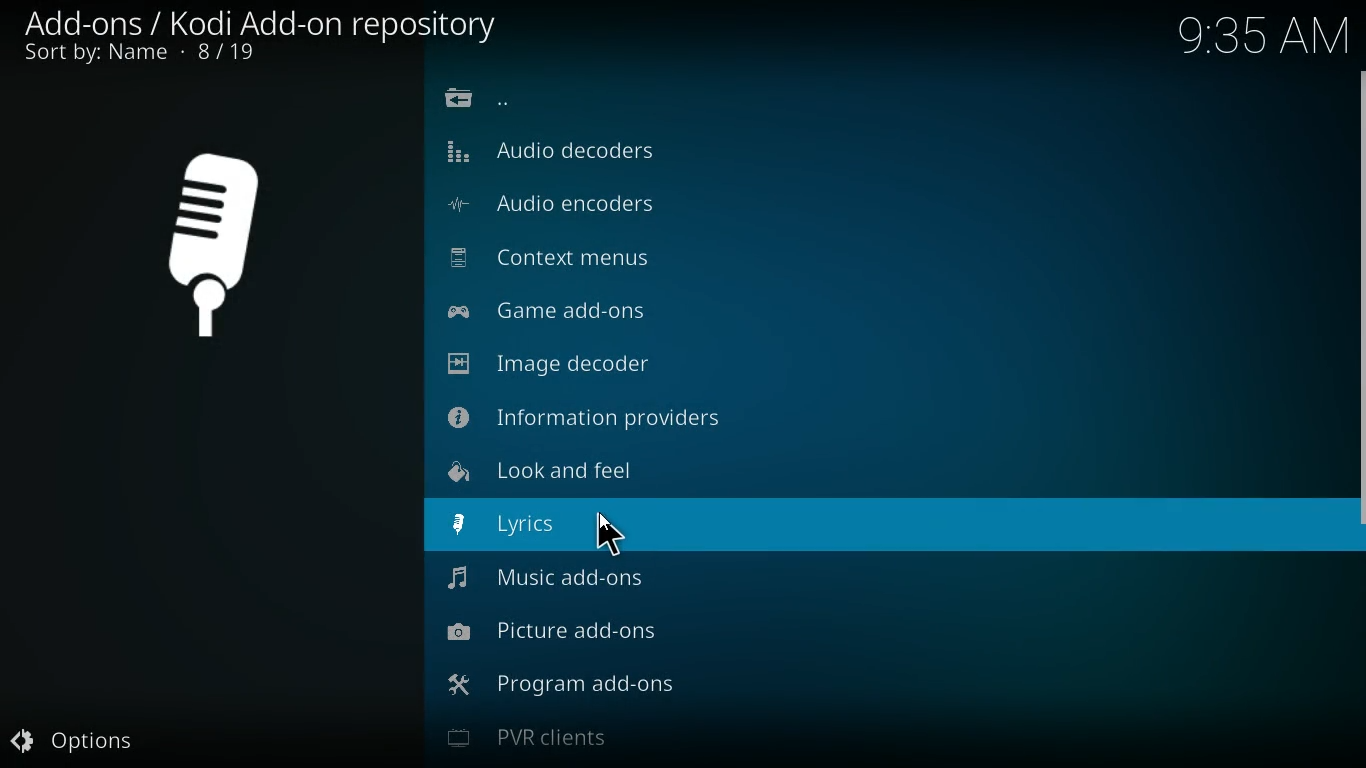 This screenshot has height=768, width=1366. I want to click on Options, so click(94, 737).